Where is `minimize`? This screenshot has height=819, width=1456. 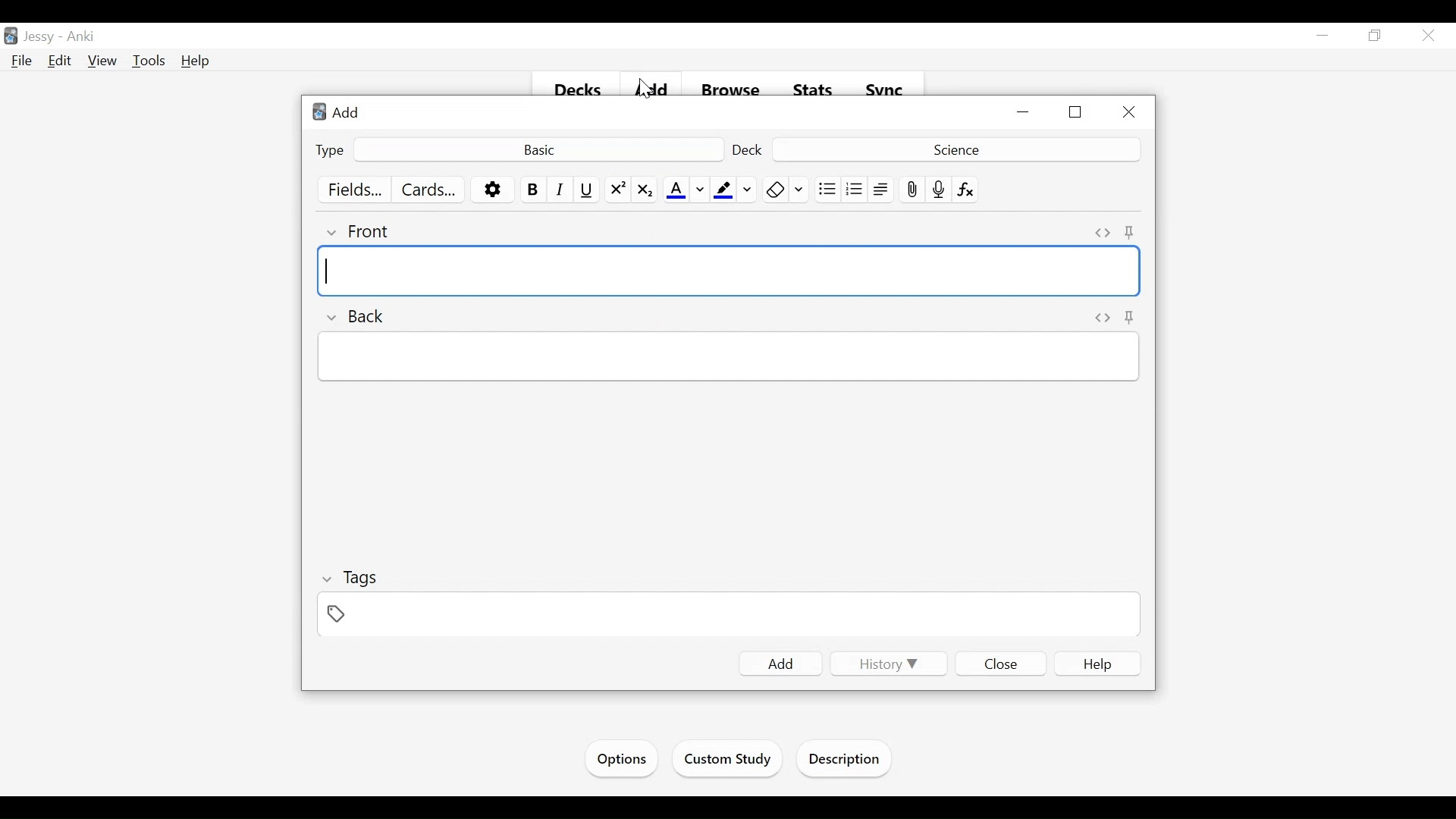
minimize is located at coordinates (1323, 36).